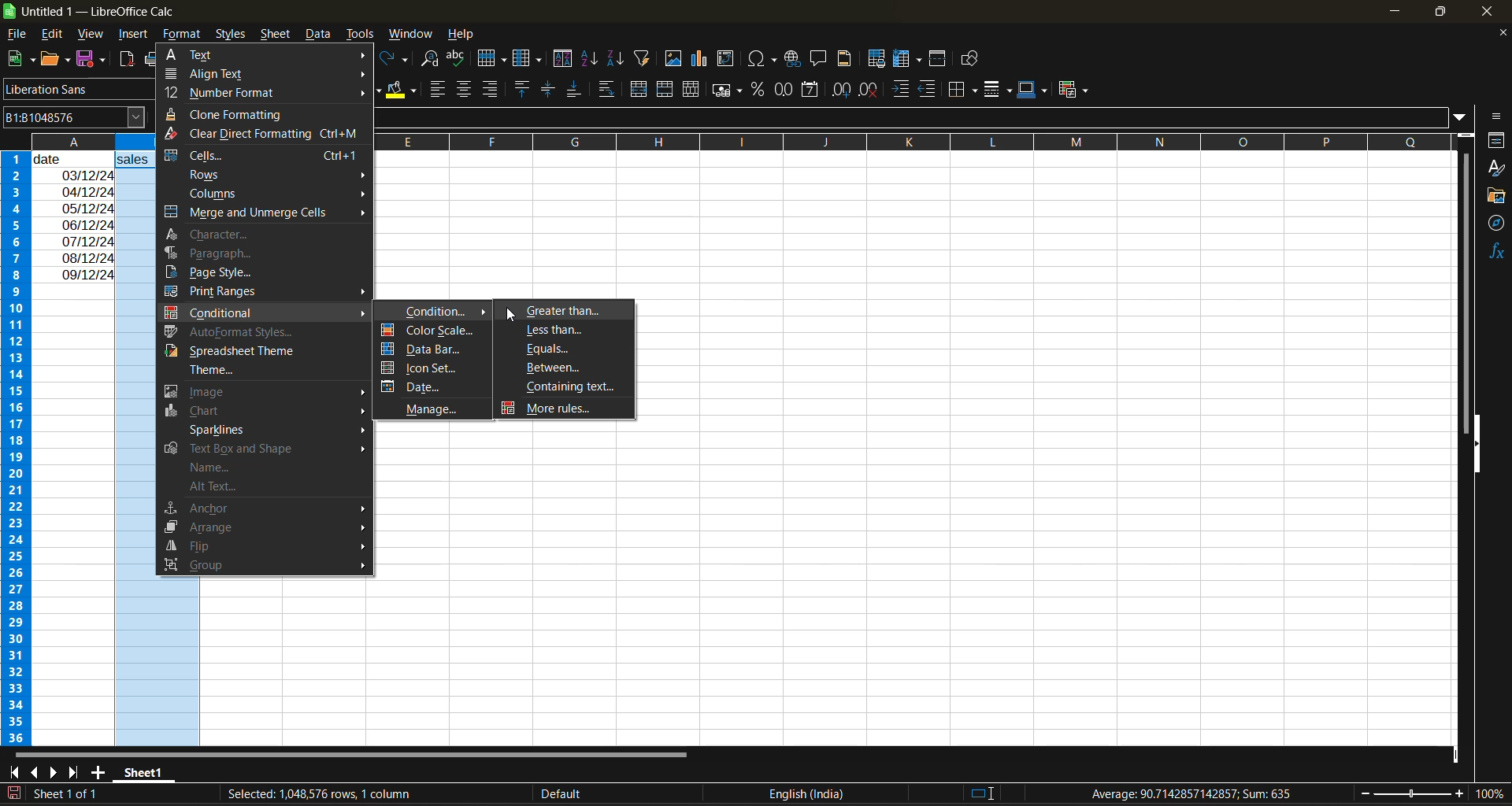 The image size is (1512, 806). I want to click on date, so click(431, 386).